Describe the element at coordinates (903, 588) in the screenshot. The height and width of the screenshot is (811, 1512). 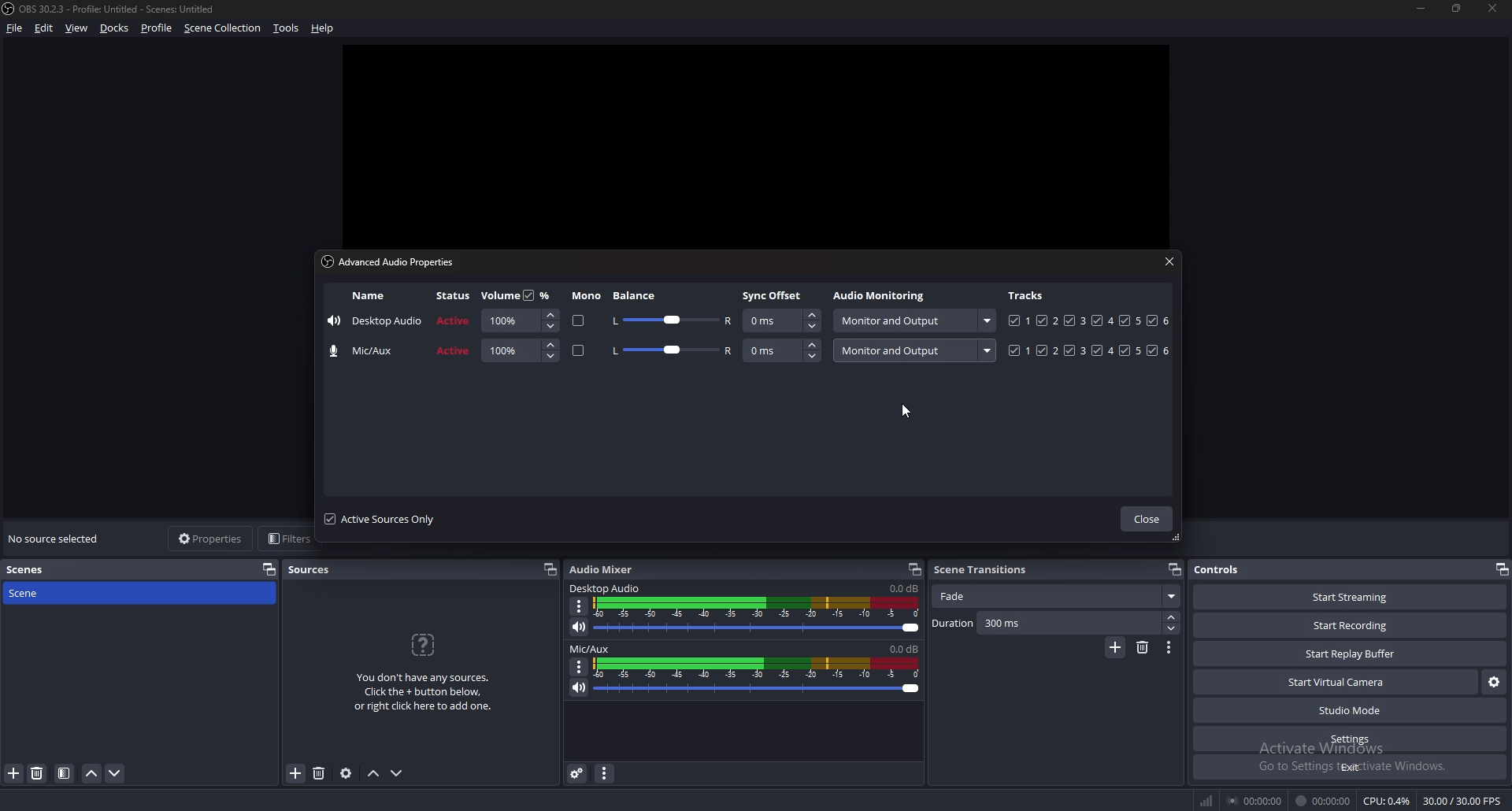
I see `volume level` at that location.